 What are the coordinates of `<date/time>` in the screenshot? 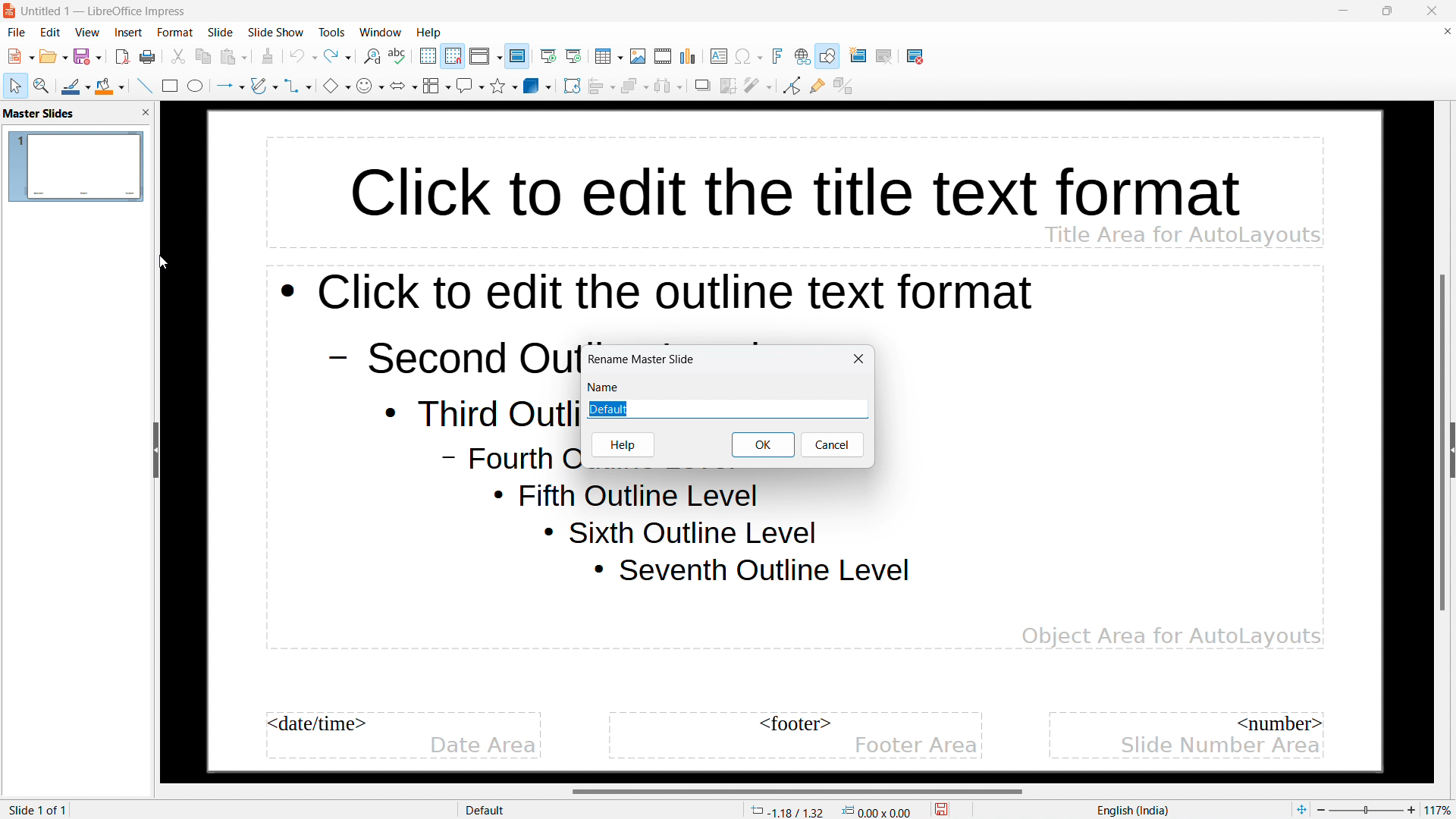 It's located at (320, 724).